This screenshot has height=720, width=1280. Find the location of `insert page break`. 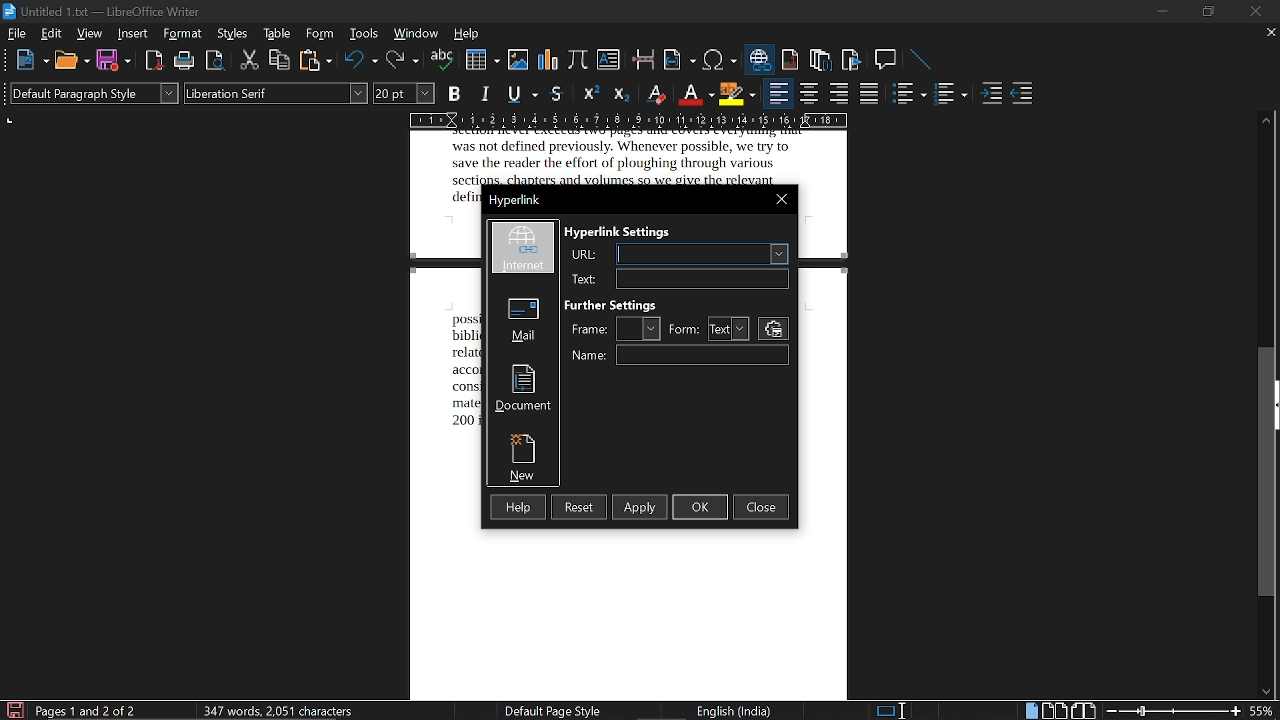

insert page break is located at coordinates (643, 61).